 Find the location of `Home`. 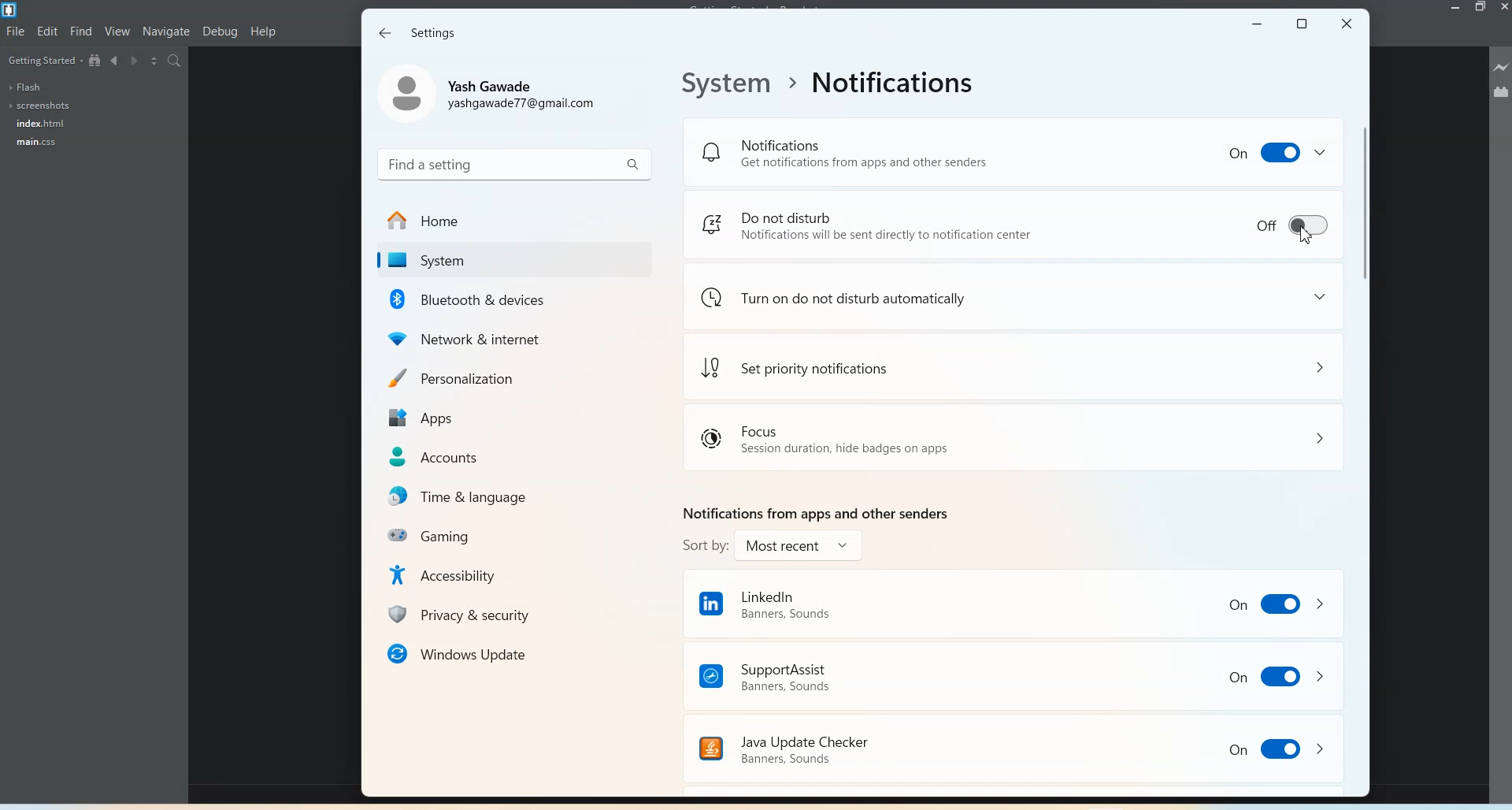

Home is located at coordinates (507, 220).